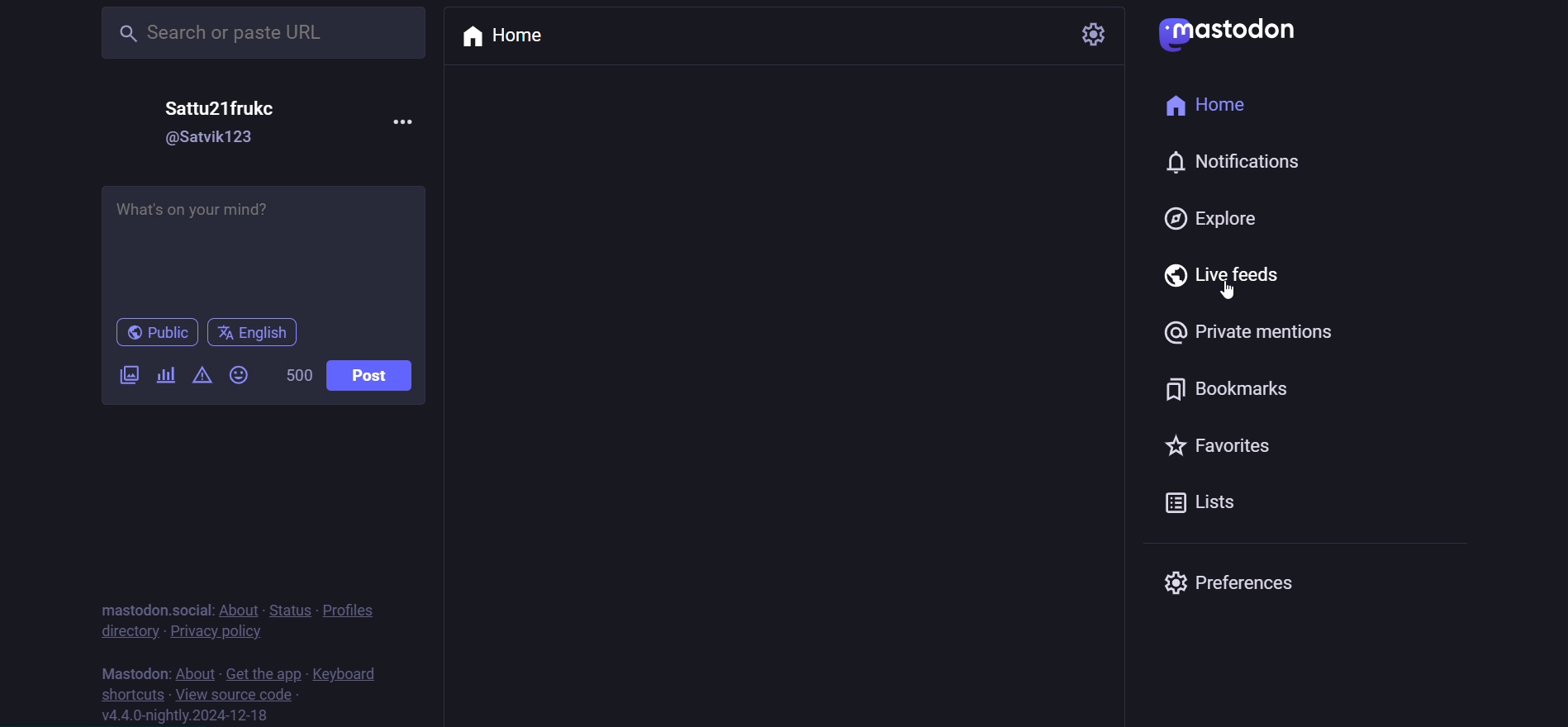 This screenshot has height=727, width=1568. I want to click on private mention, so click(1233, 330).